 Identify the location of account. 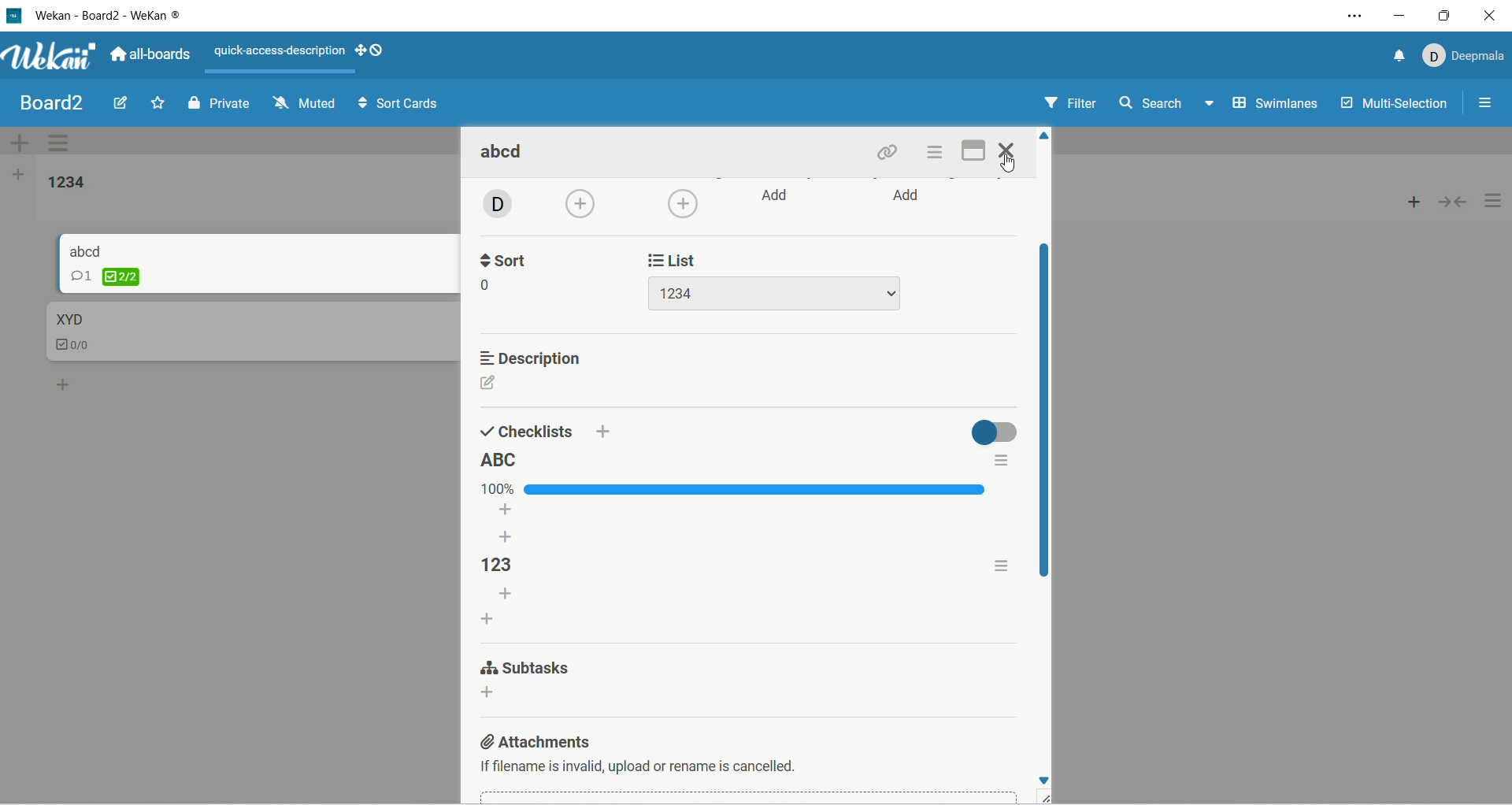
(1464, 56).